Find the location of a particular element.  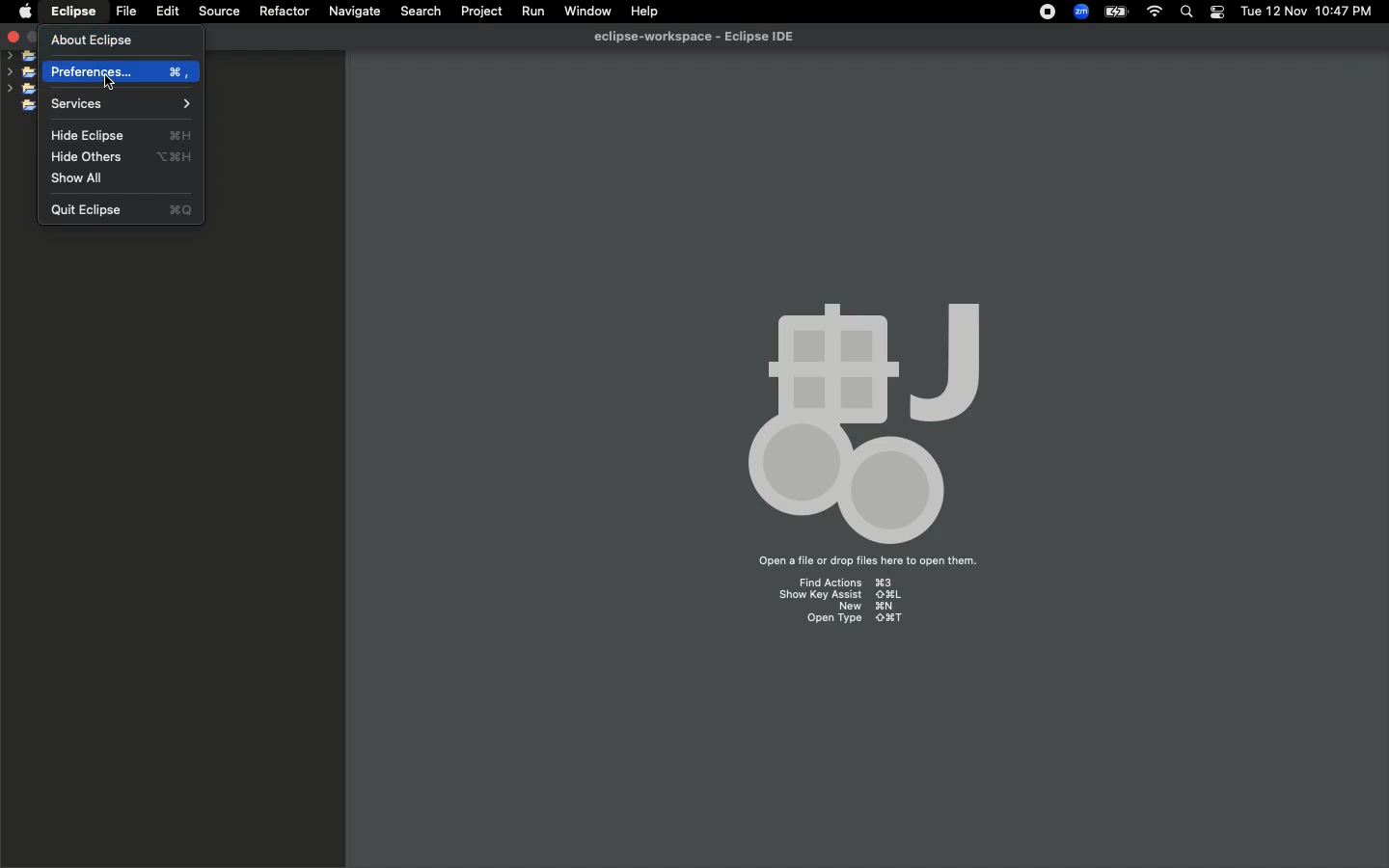

Charge is located at coordinates (1119, 11).